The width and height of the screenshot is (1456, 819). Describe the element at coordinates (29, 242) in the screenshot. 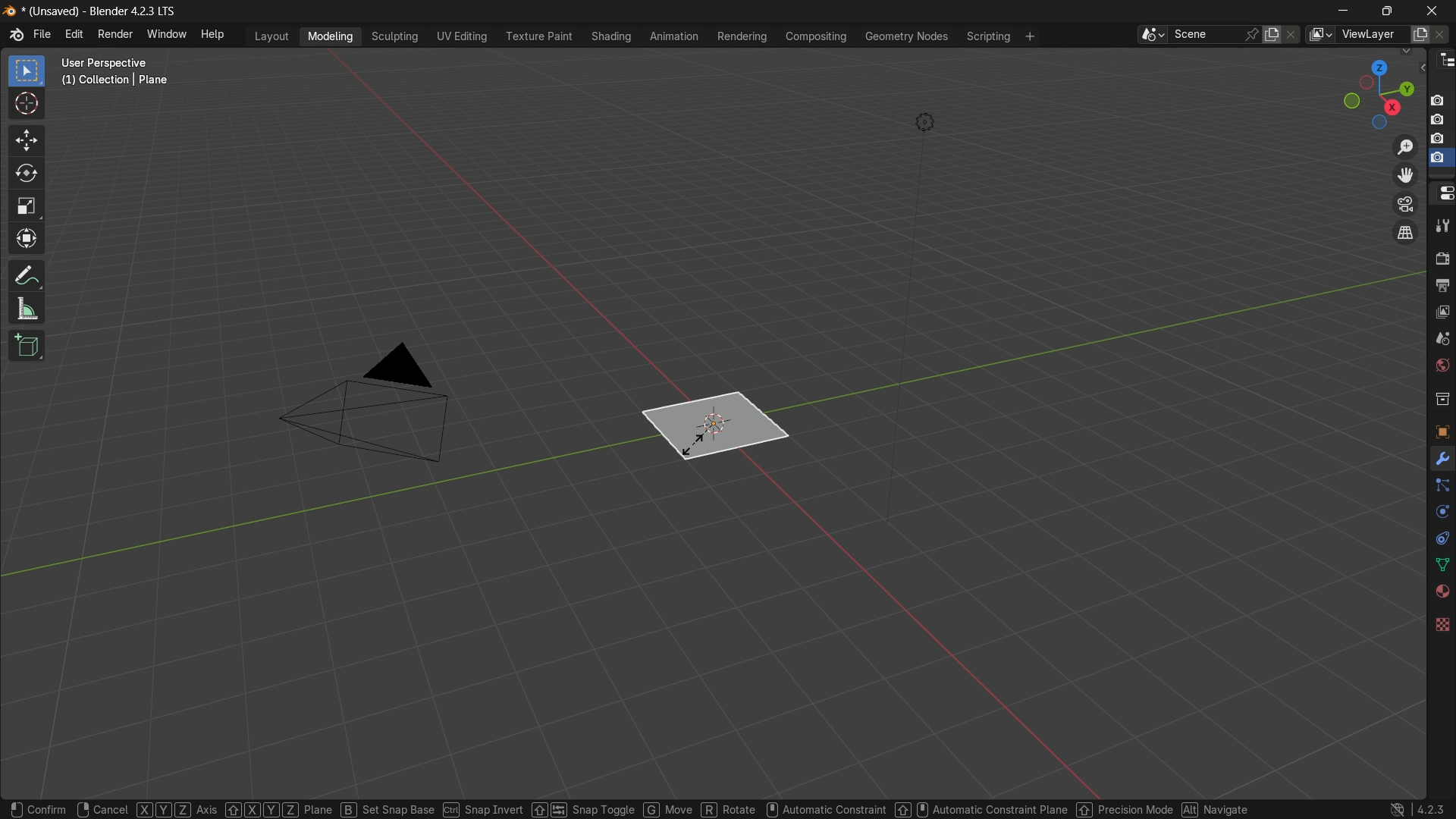

I see `transform` at that location.